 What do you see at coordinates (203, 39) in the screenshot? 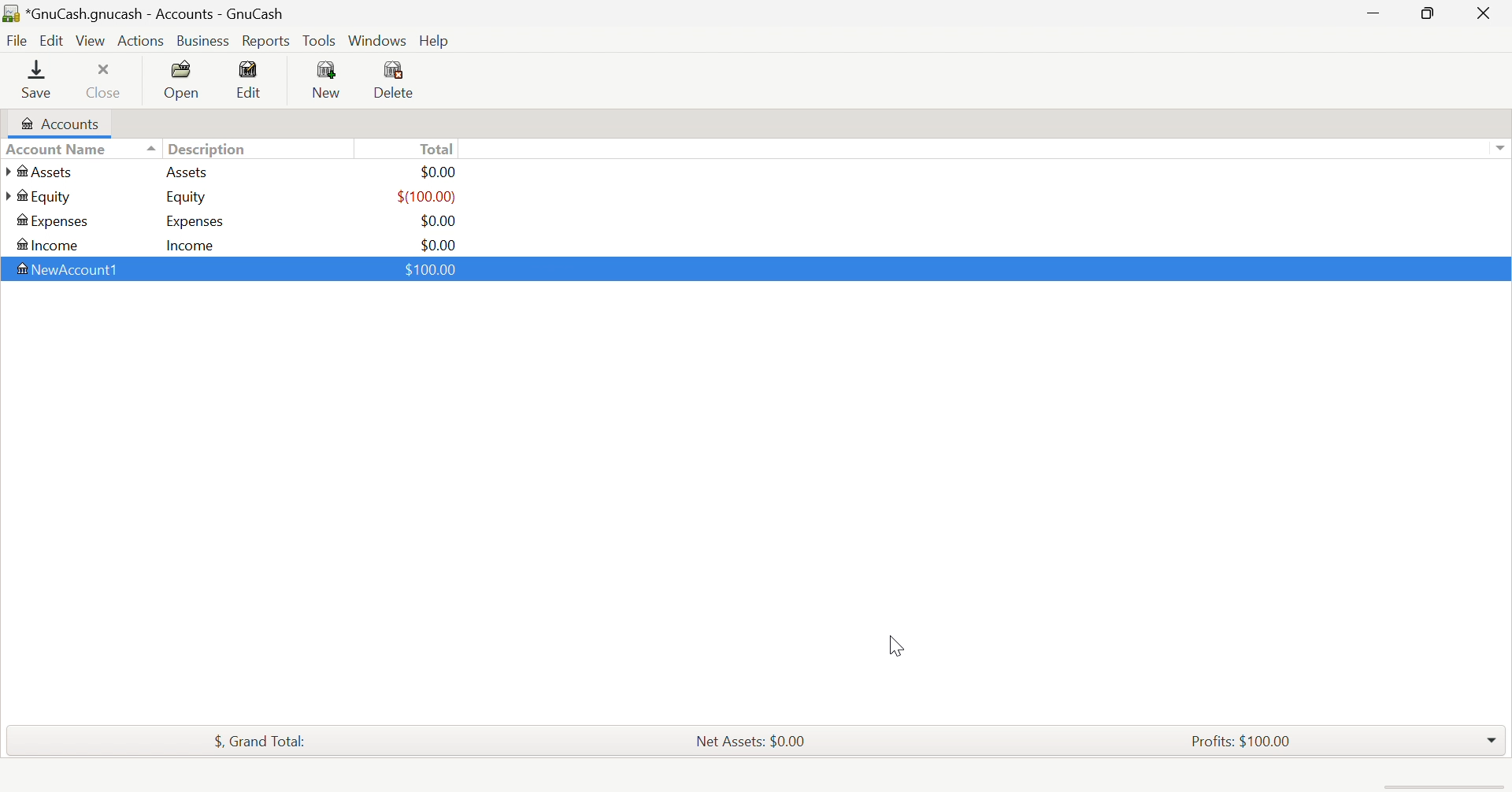
I see `Business` at bounding box center [203, 39].